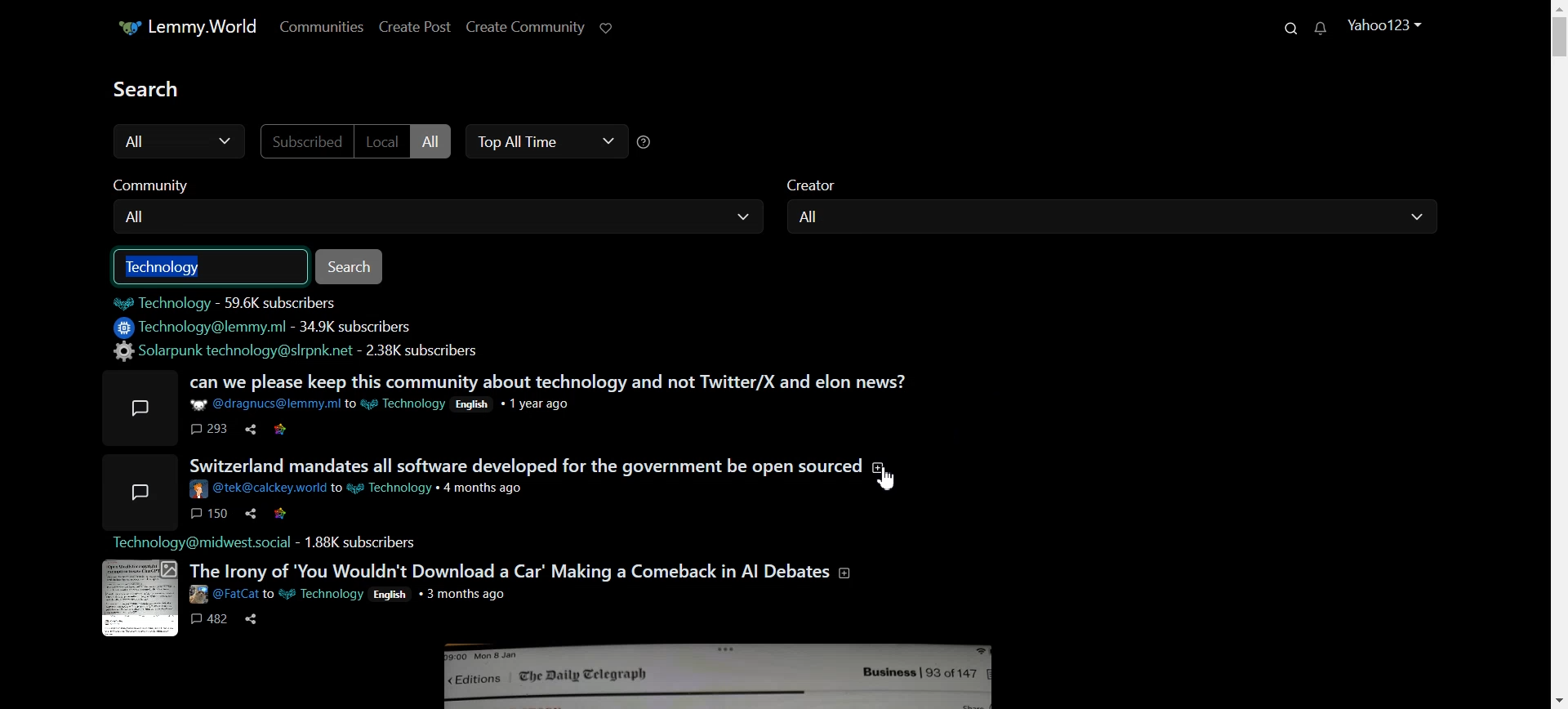 This screenshot has width=1568, height=709. I want to click on 150 comments, so click(207, 512).